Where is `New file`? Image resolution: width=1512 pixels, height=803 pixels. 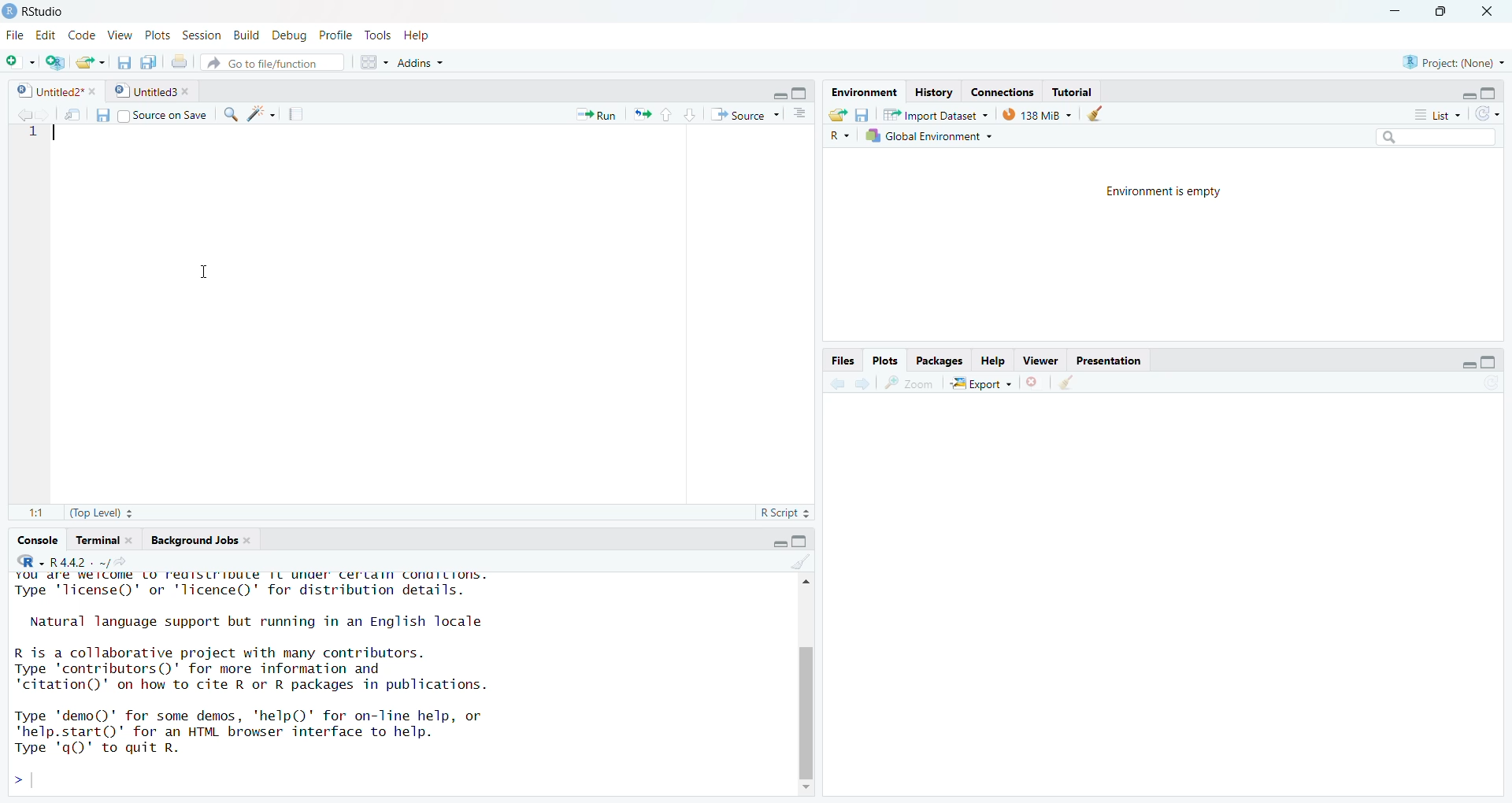 New file is located at coordinates (17, 57).